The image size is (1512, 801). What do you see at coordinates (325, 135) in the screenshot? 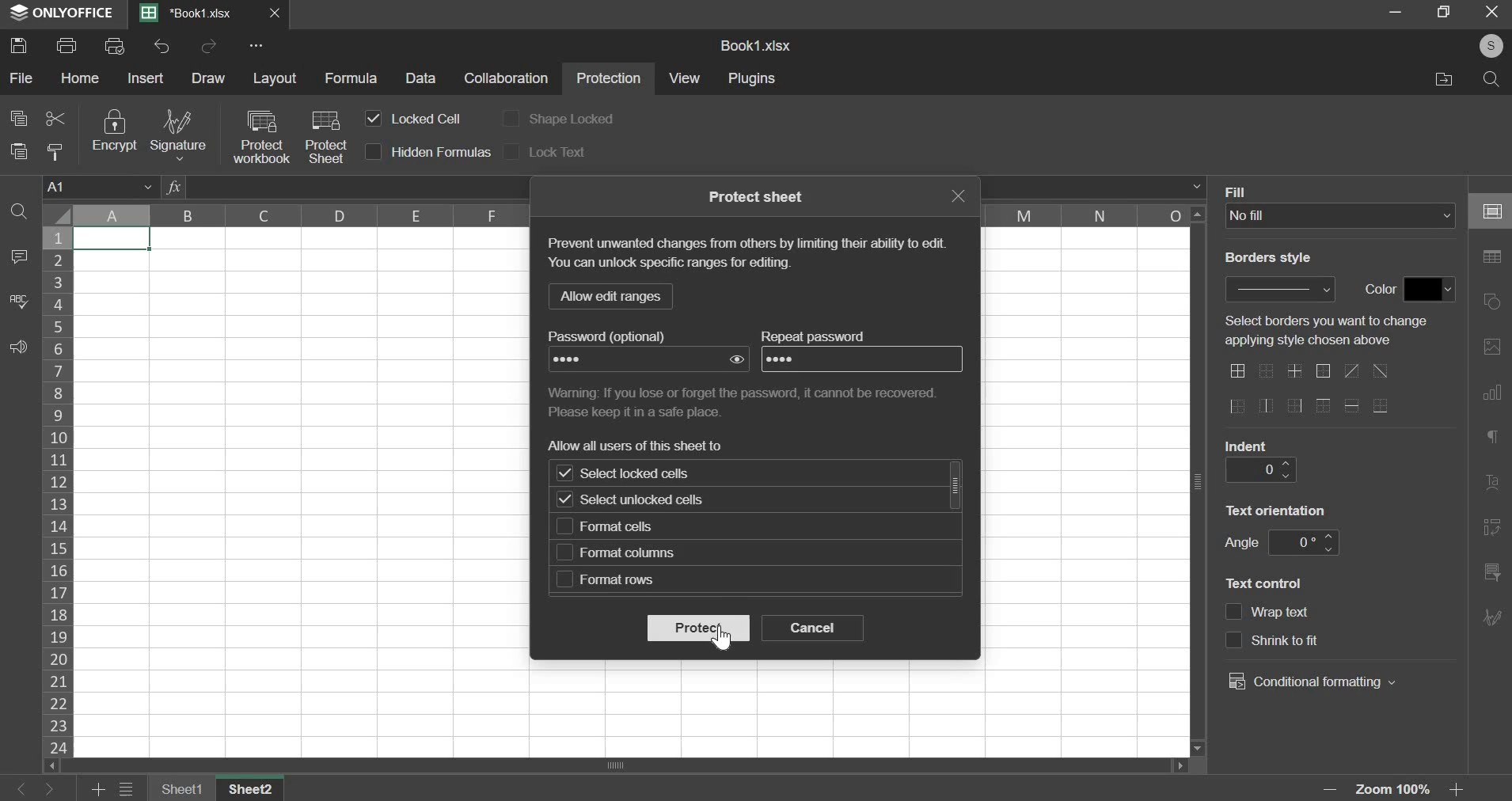
I see `protect sheet with cursor` at bounding box center [325, 135].